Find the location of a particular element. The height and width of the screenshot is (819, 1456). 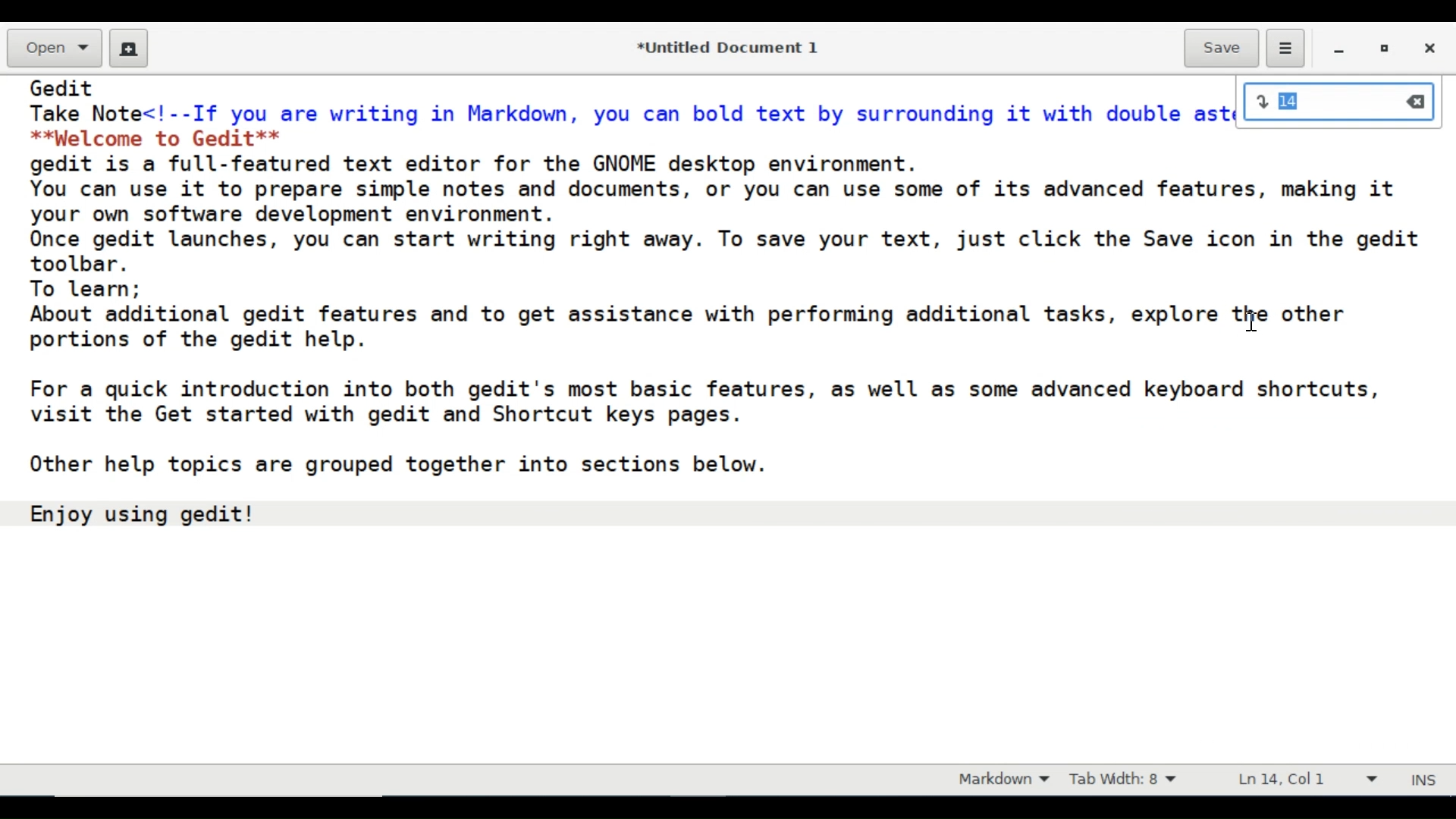

Close is located at coordinates (1428, 49).